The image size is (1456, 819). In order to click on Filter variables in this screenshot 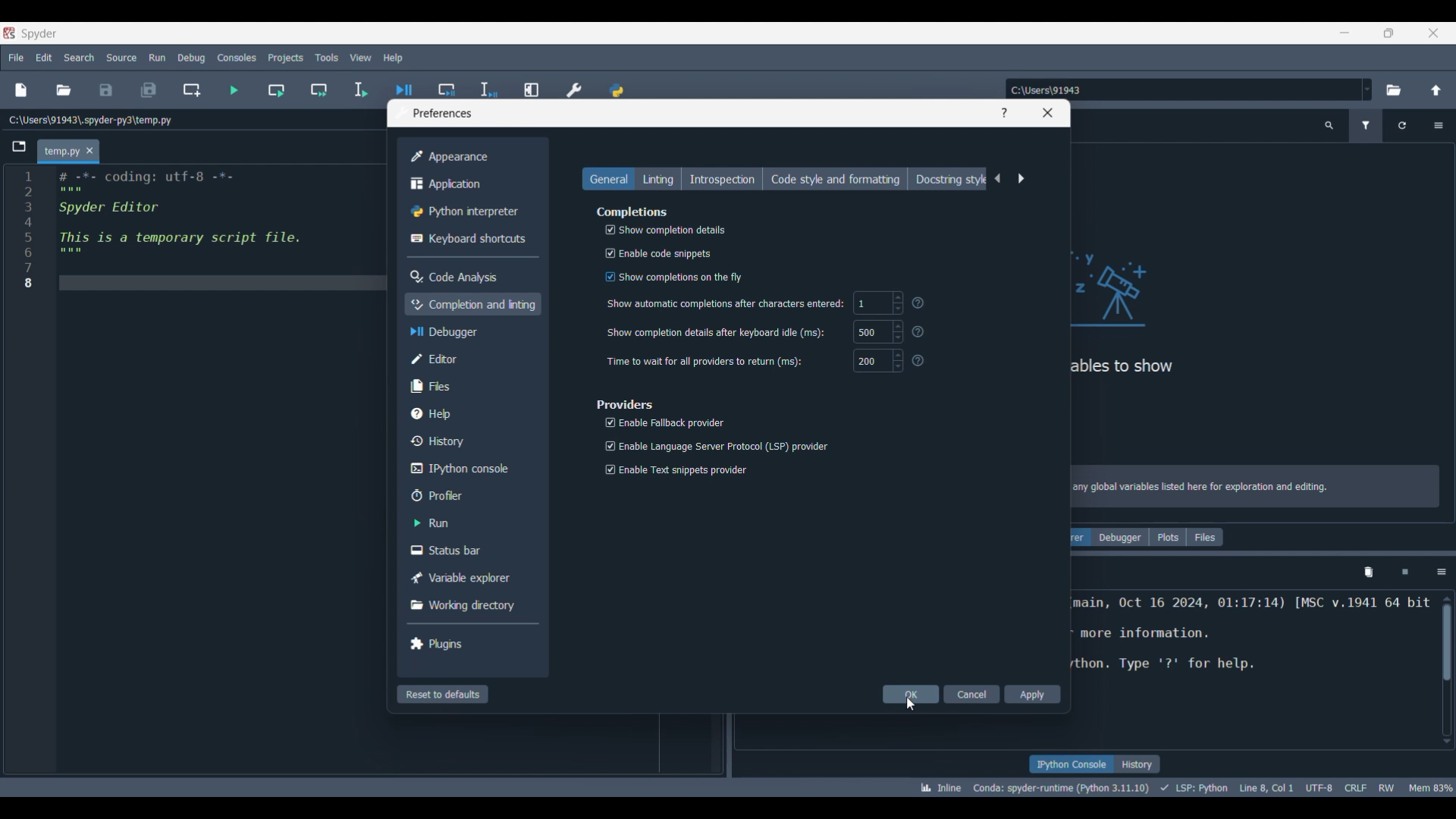, I will do `click(1367, 126)`.